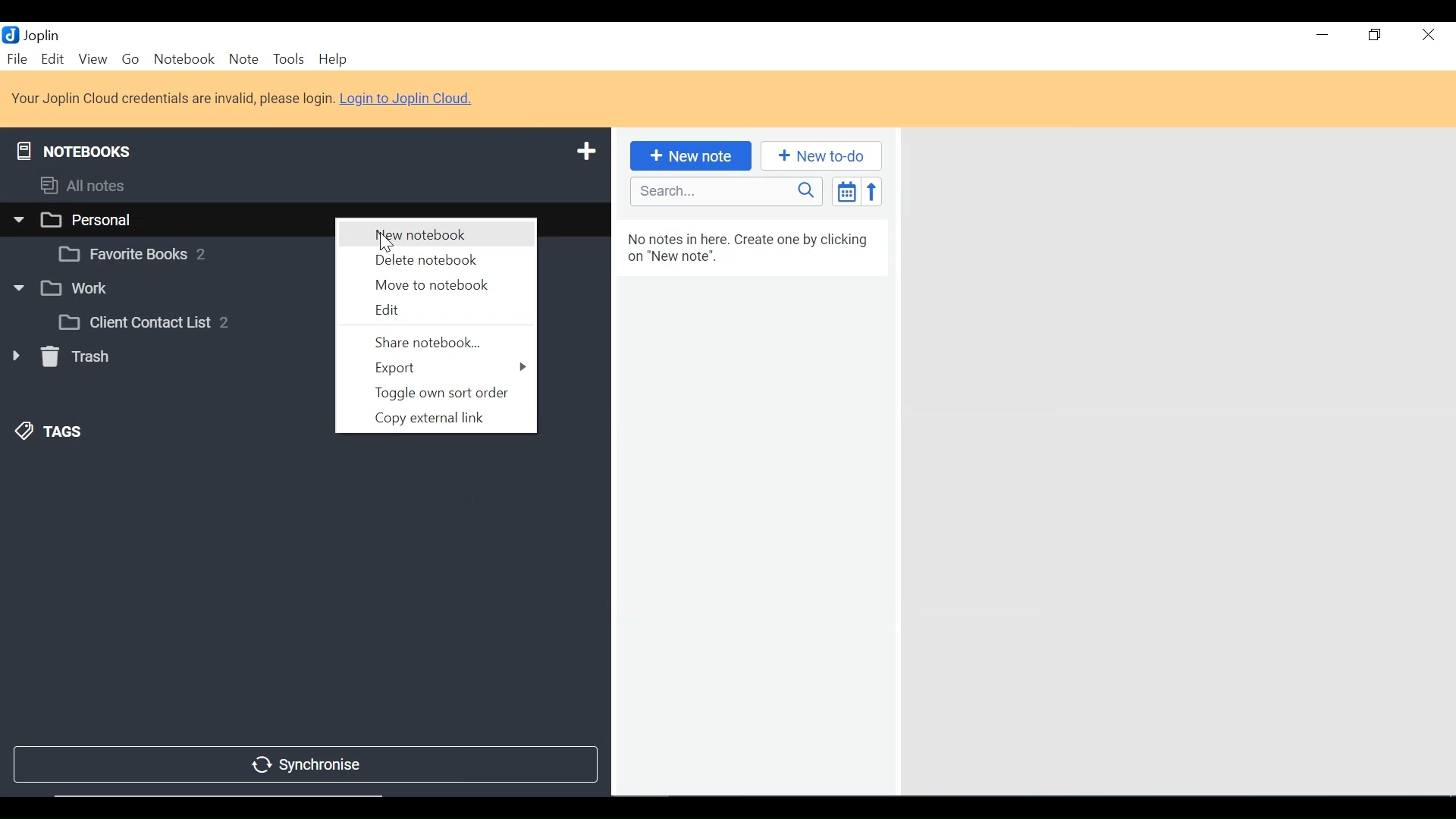 The height and width of the screenshot is (819, 1456). I want to click on Move to notebook, so click(436, 285).